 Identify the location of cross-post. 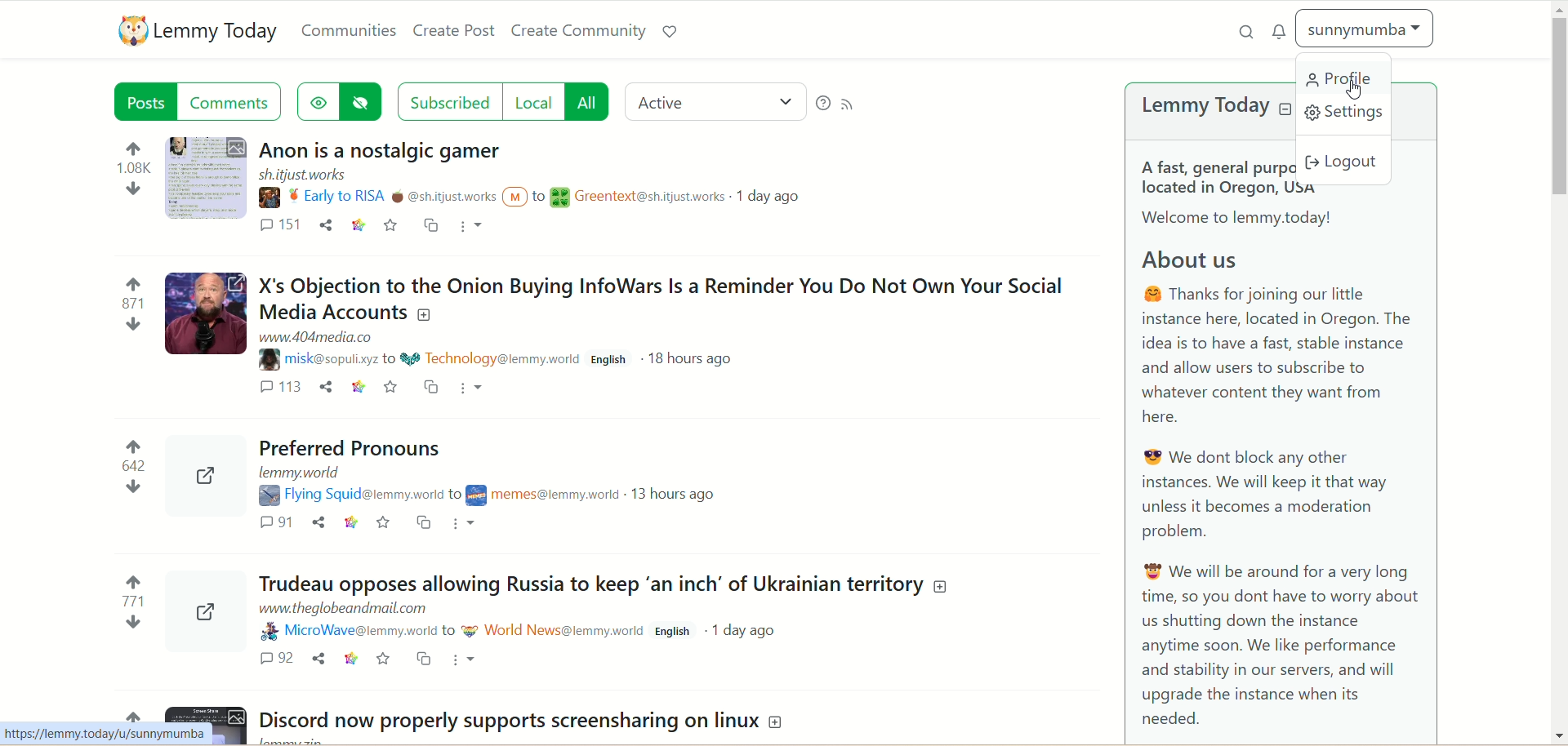
(430, 226).